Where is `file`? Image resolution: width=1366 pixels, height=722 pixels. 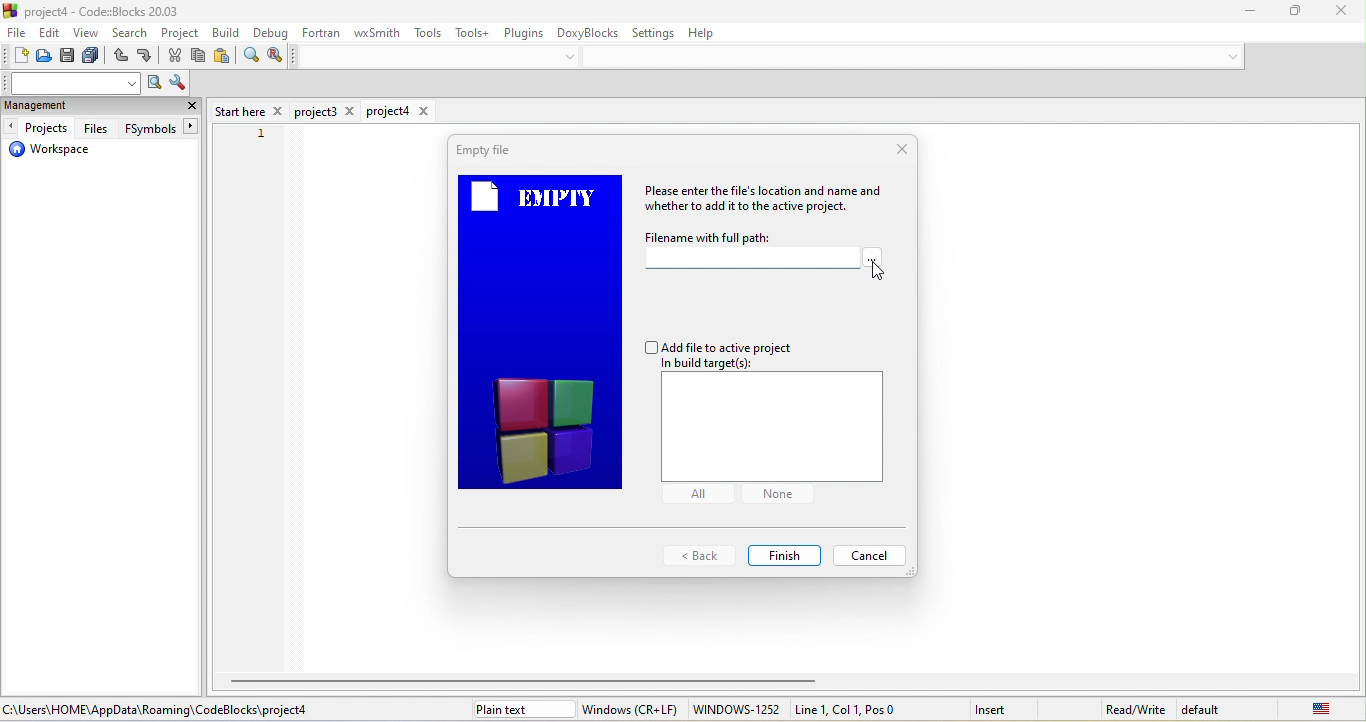 file is located at coordinates (16, 35).